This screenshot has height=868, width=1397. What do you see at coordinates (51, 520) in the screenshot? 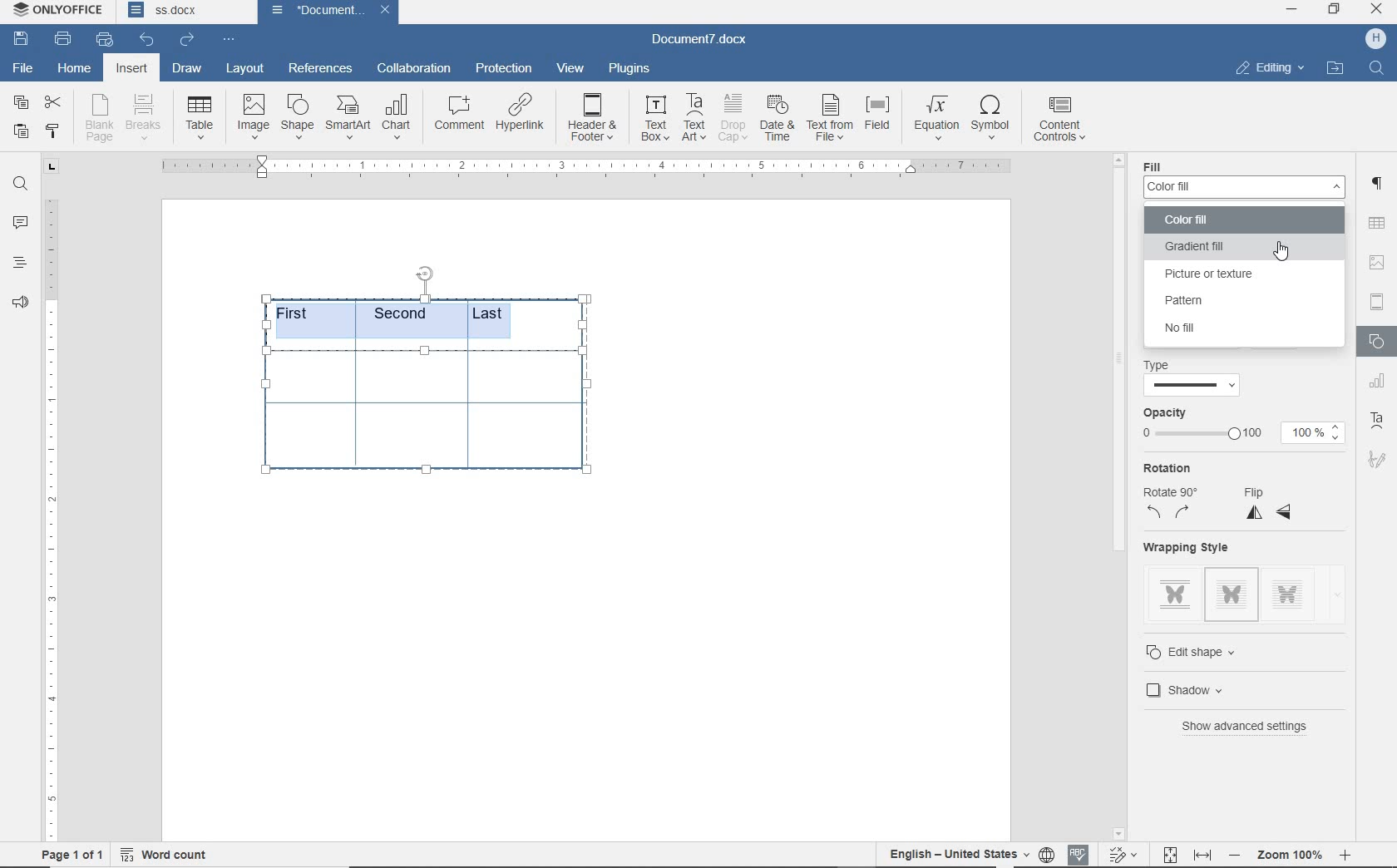
I see `ruler` at bounding box center [51, 520].